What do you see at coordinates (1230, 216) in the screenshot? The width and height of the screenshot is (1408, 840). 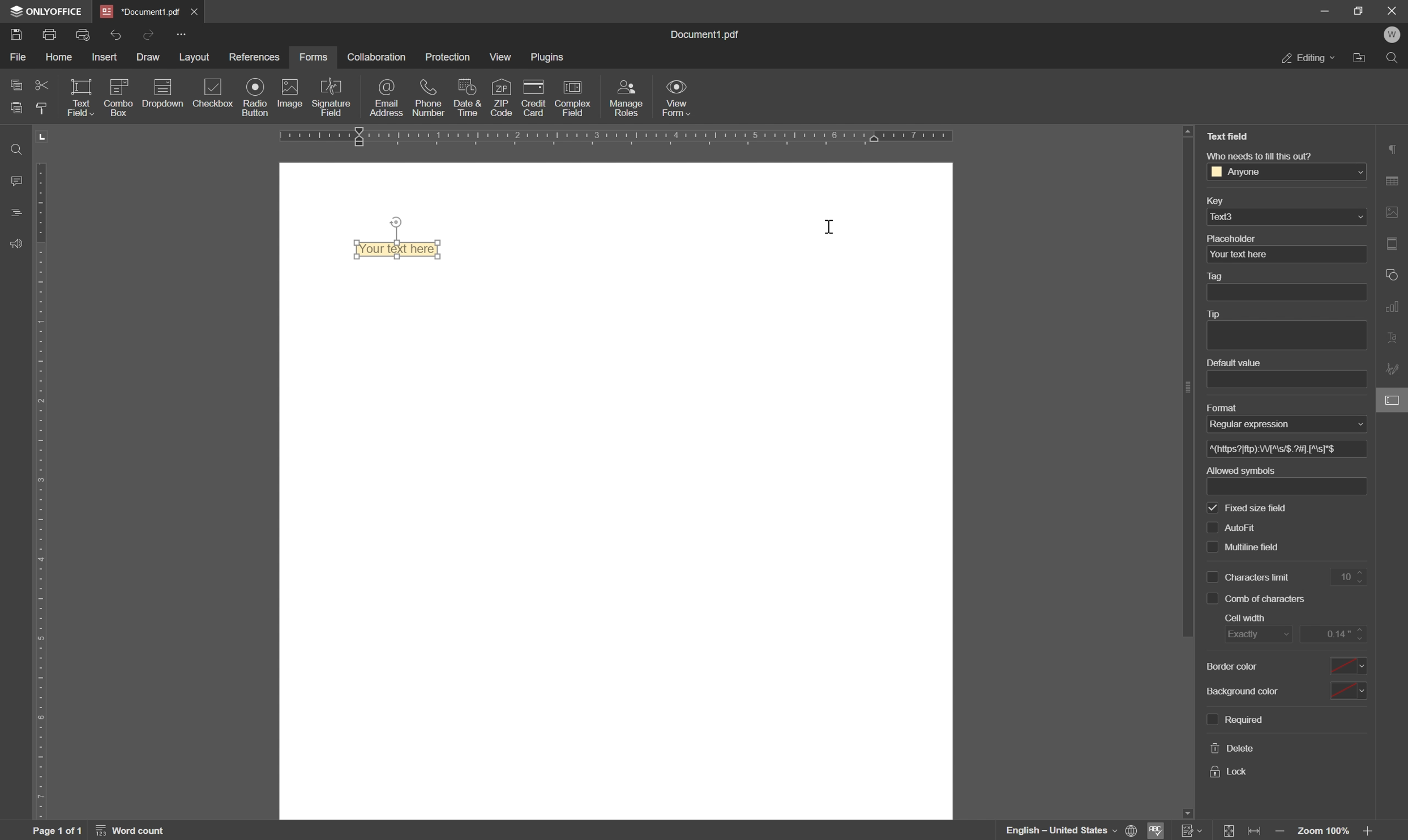 I see `text3` at bounding box center [1230, 216].